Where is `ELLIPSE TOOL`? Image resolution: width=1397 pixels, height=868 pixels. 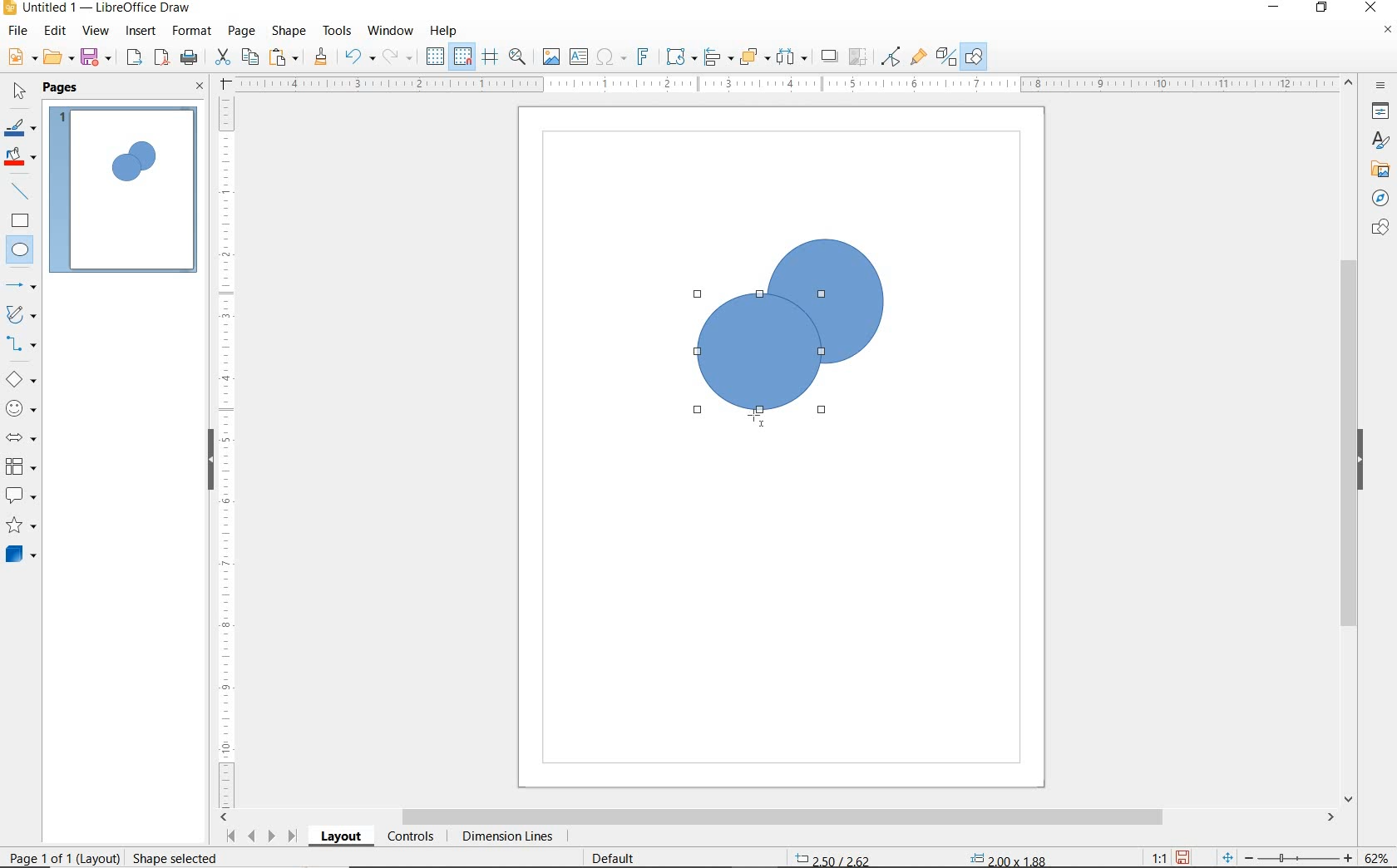
ELLIPSE TOOL is located at coordinates (763, 420).